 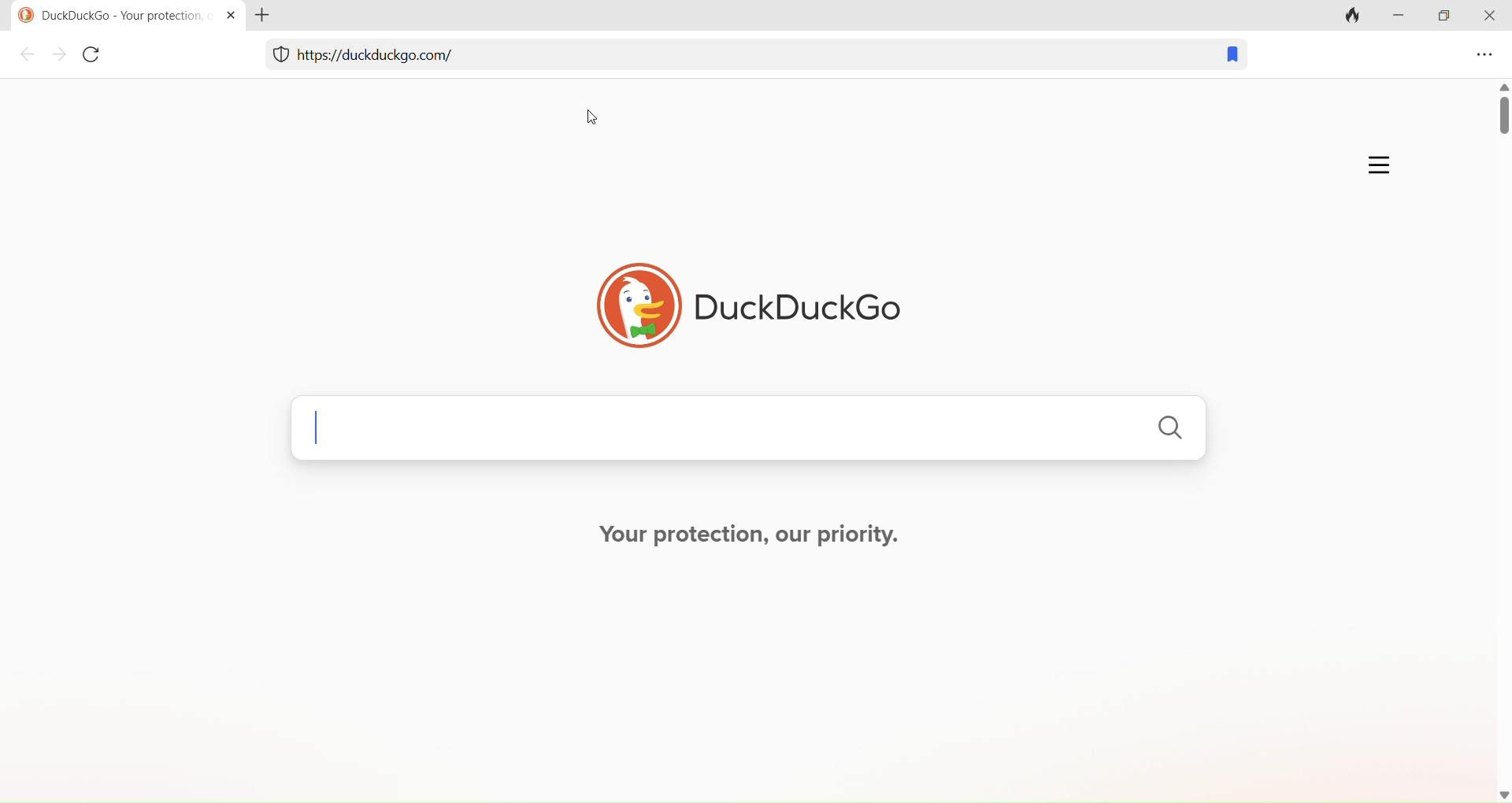 I want to click on cursor, so click(x=598, y=120).